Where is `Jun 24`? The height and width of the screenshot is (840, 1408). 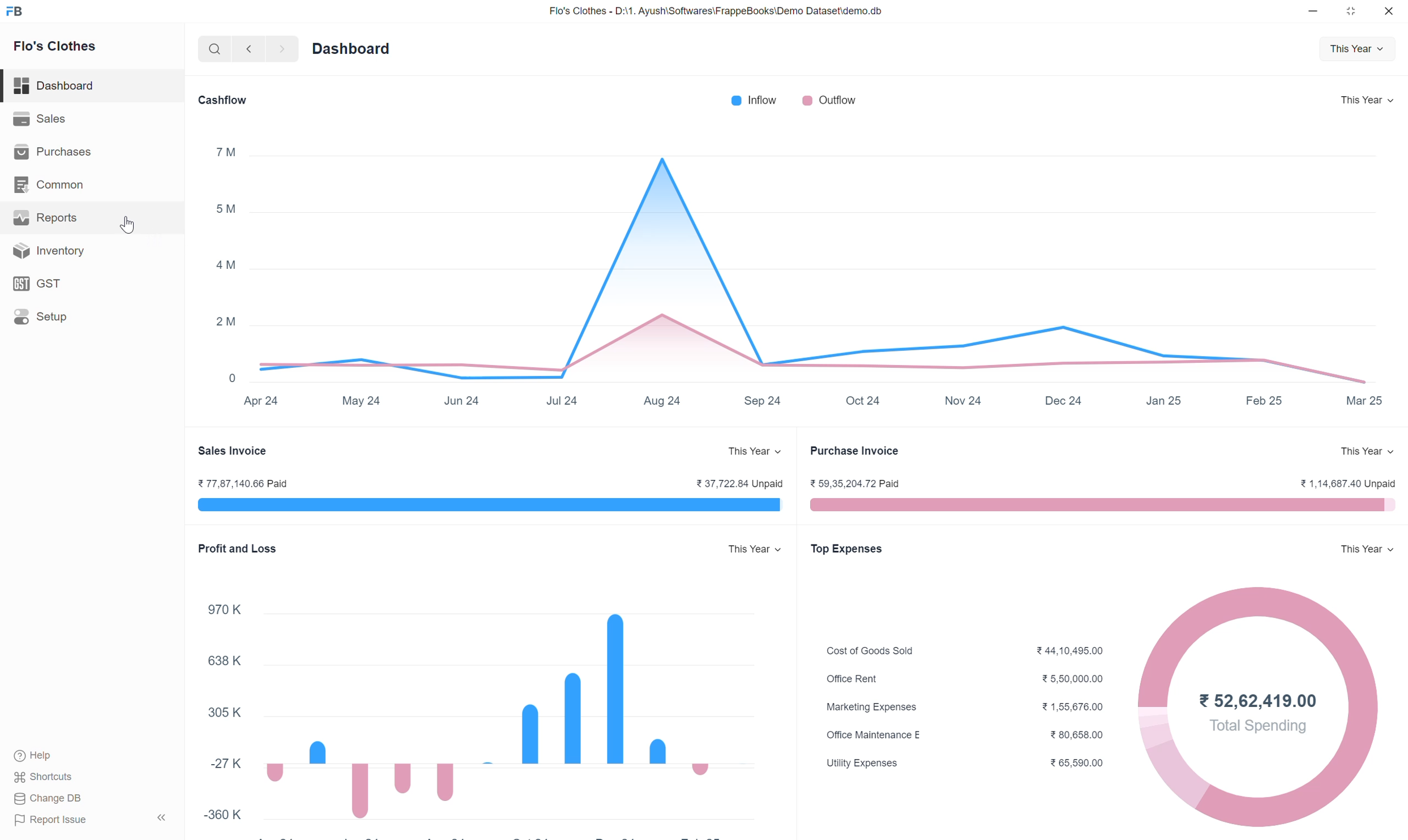
Jun 24 is located at coordinates (461, 401).